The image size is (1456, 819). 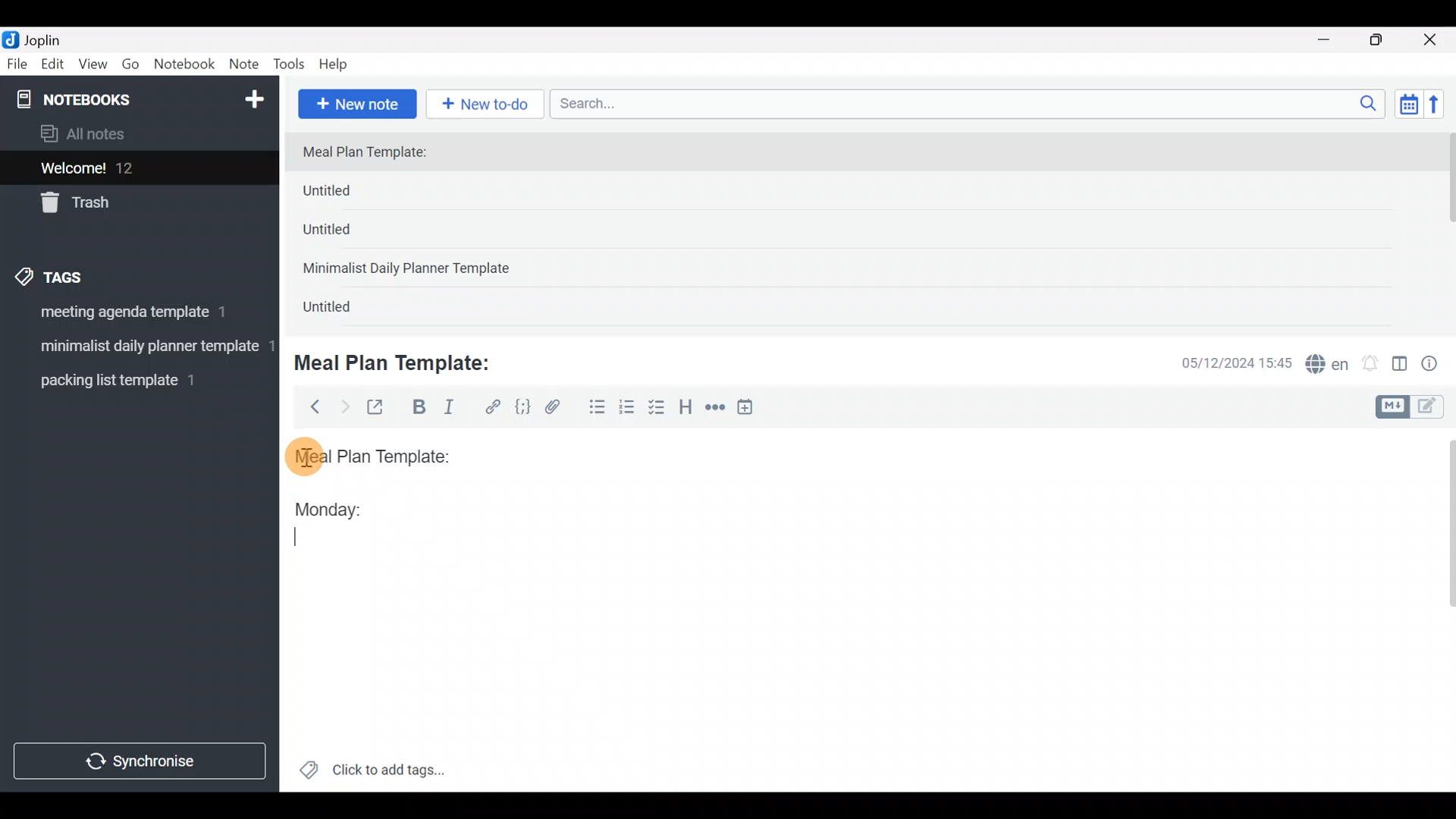 What do you see at coordinates (52, 38) in the screenshot?
I see `Joplin` at bounding box center [52, 38].